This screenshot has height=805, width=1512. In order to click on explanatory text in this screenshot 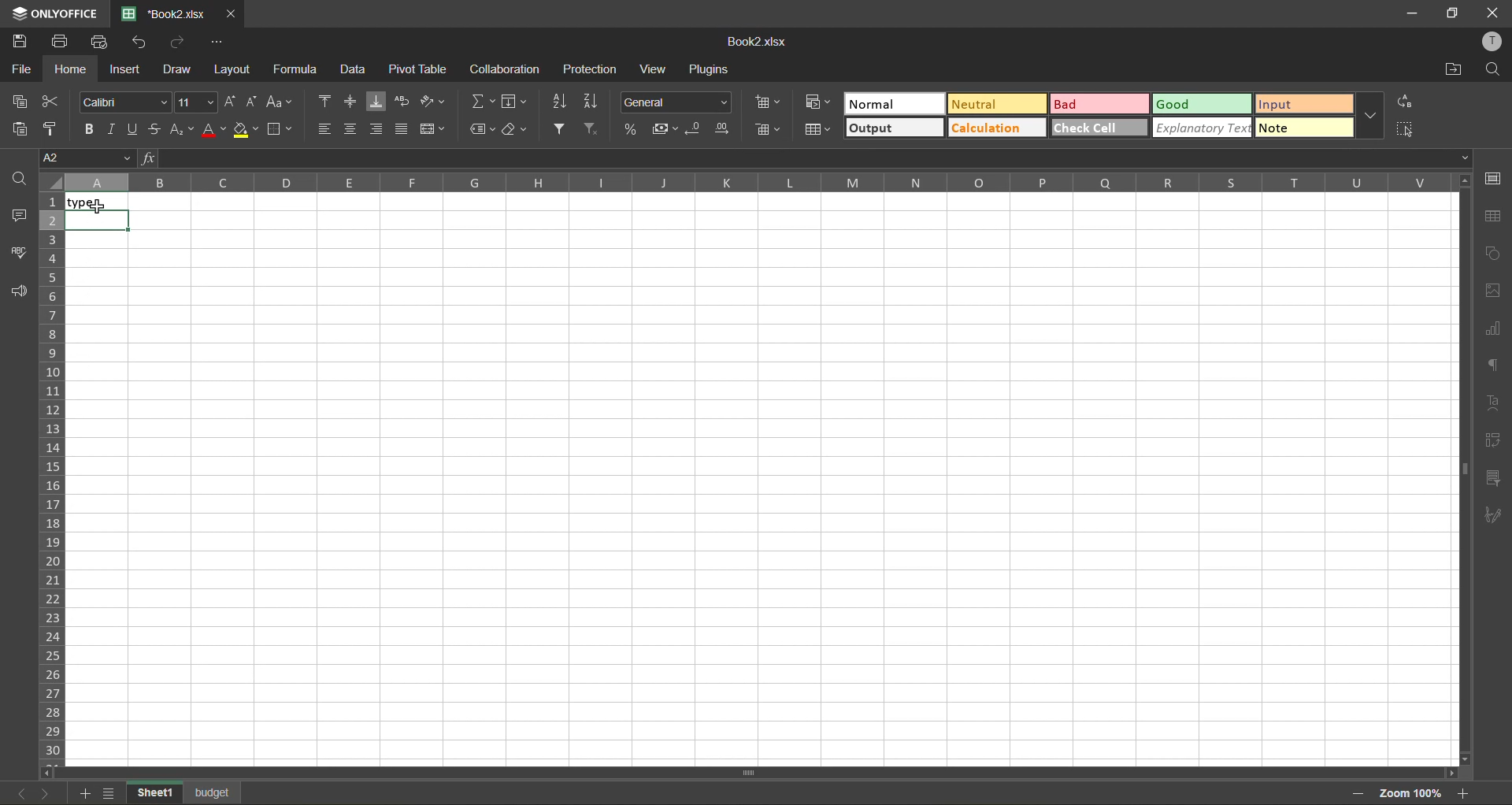, I will do `click(1204, 128)`.